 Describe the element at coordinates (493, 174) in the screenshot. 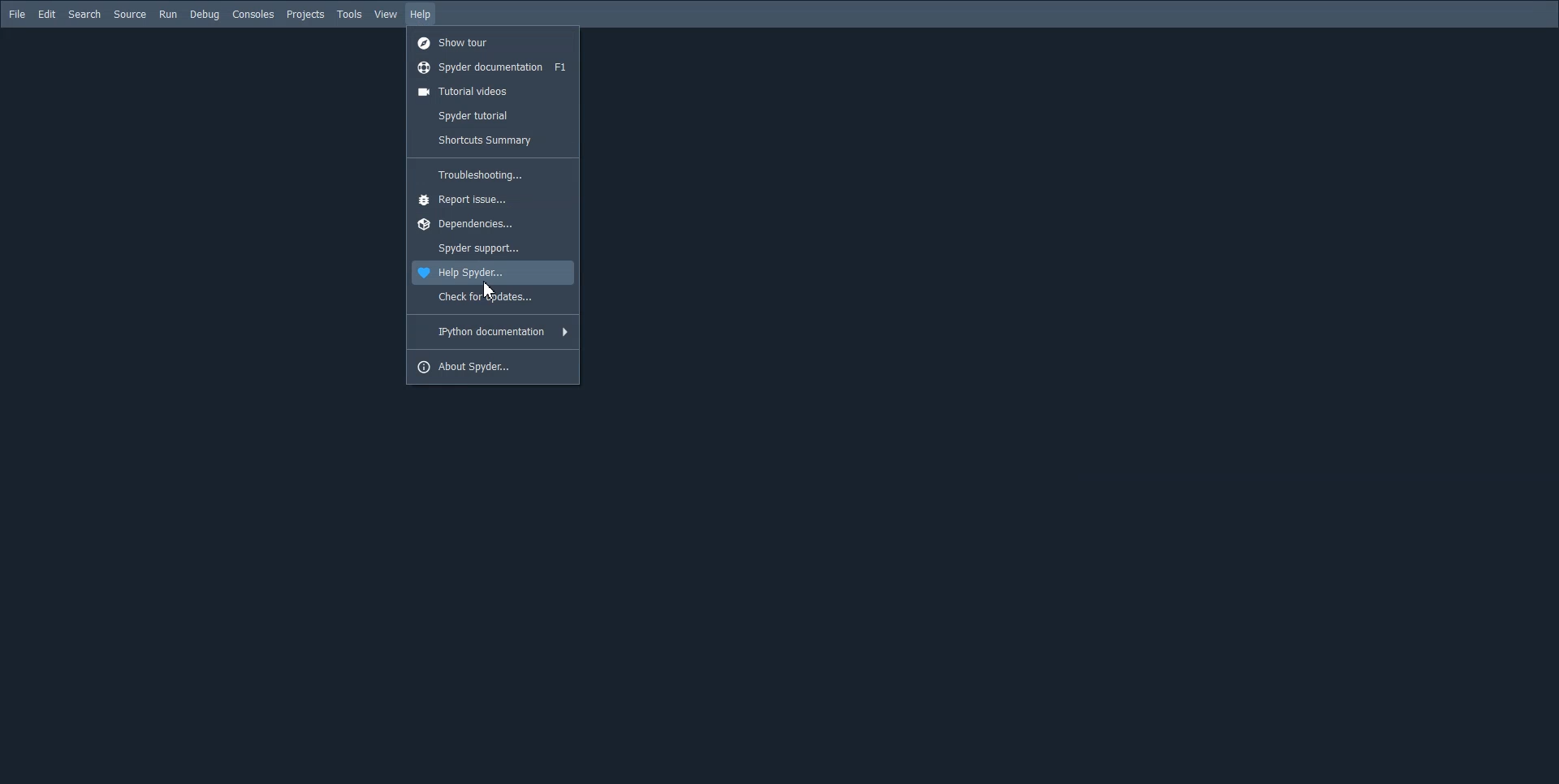

I see `Troubleshooting` at that location.